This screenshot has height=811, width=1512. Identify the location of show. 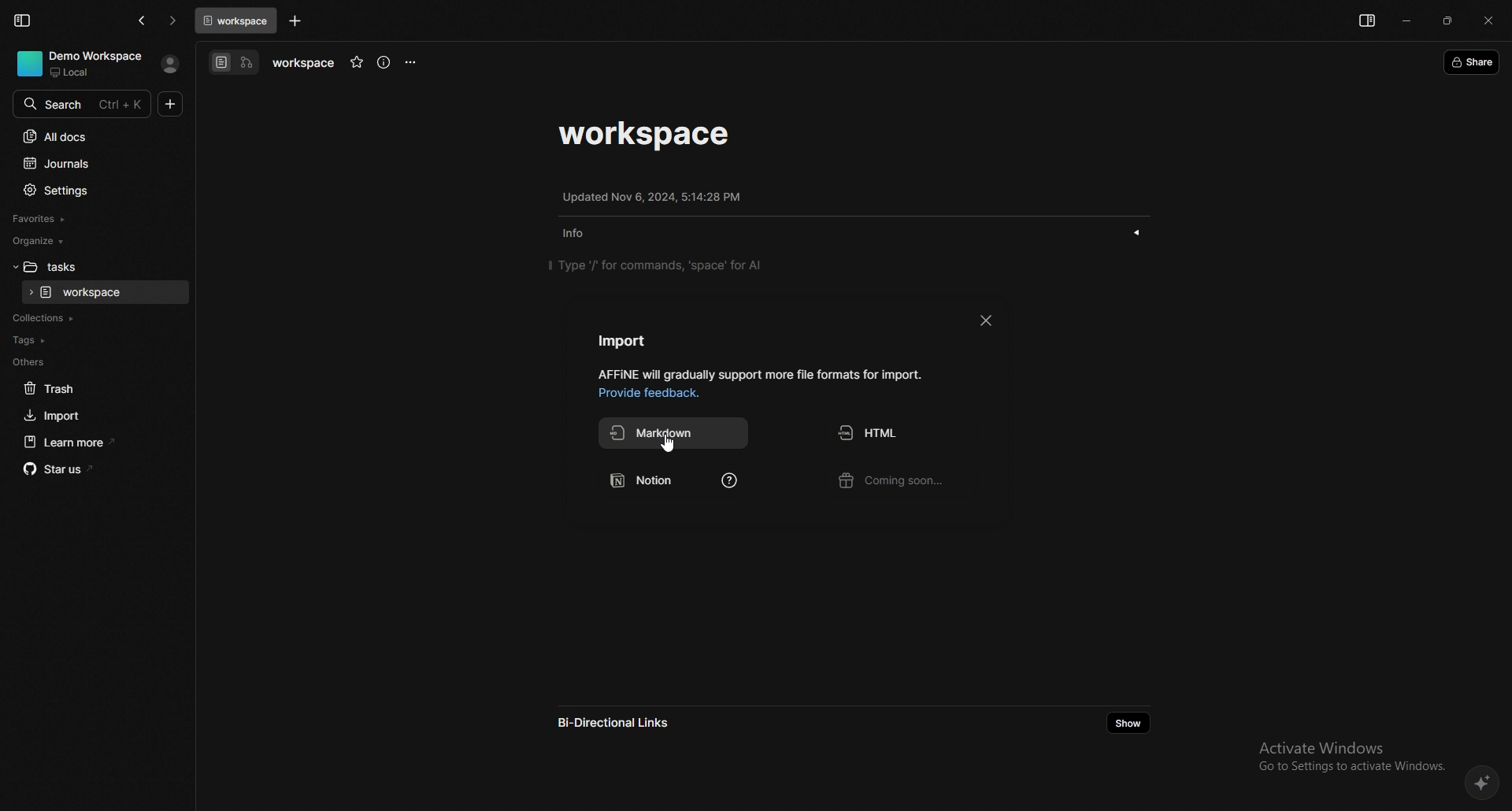
(1137, 232).